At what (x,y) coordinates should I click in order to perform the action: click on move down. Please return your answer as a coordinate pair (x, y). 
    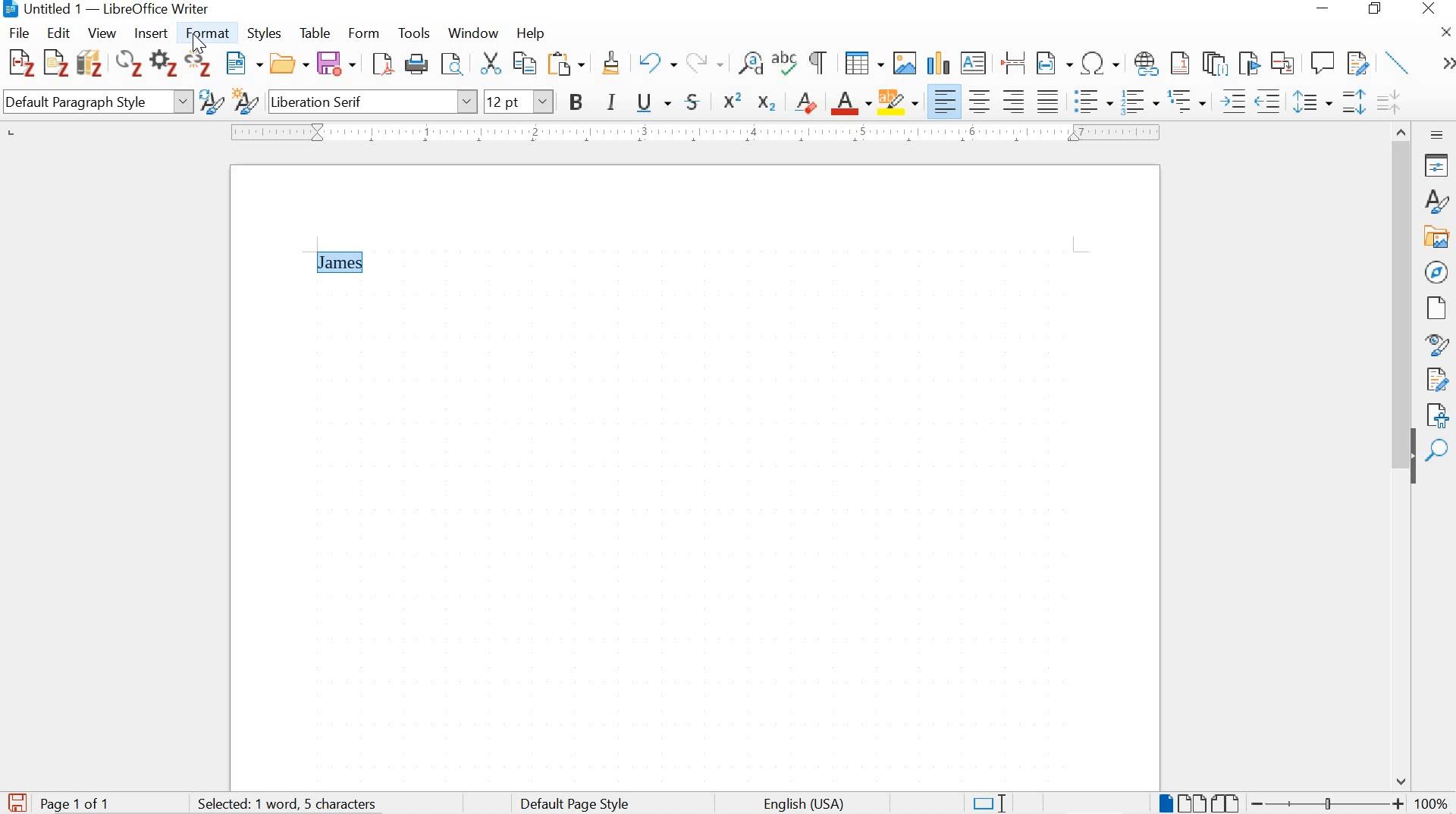
    Looking at the image, I should click on (1402, 781).